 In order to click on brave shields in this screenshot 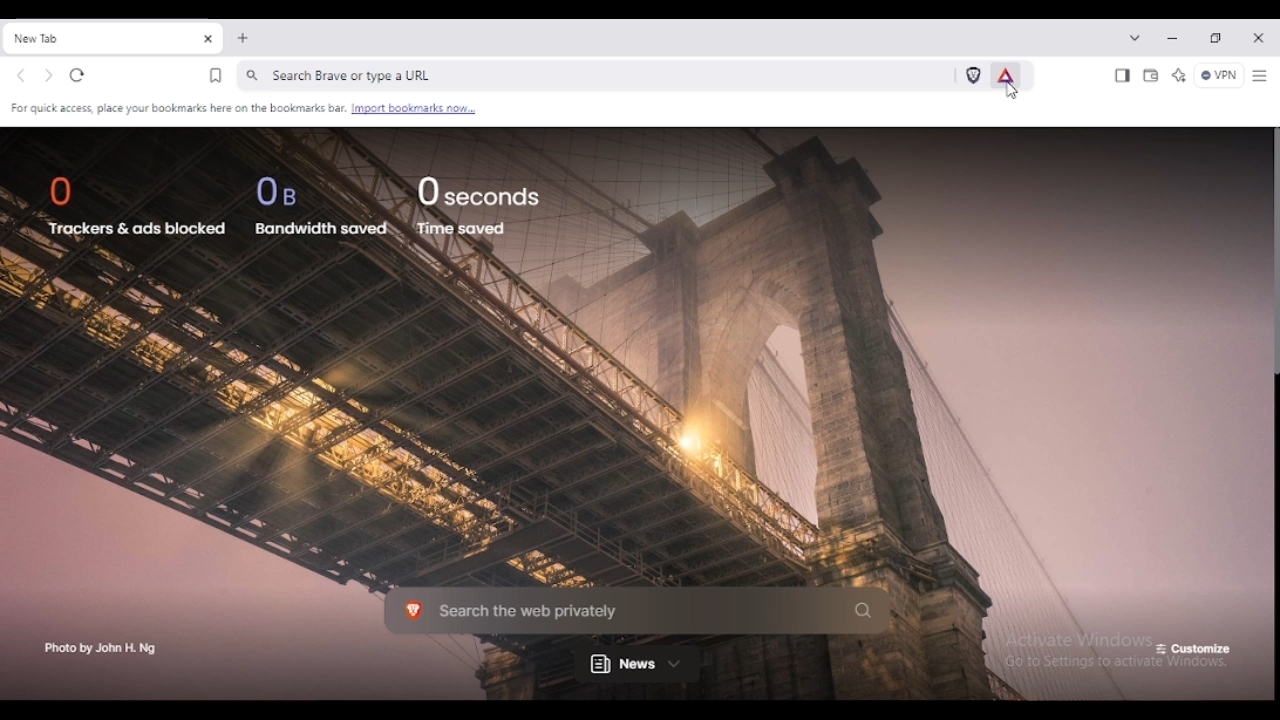, I will do `click(974, 75)`.